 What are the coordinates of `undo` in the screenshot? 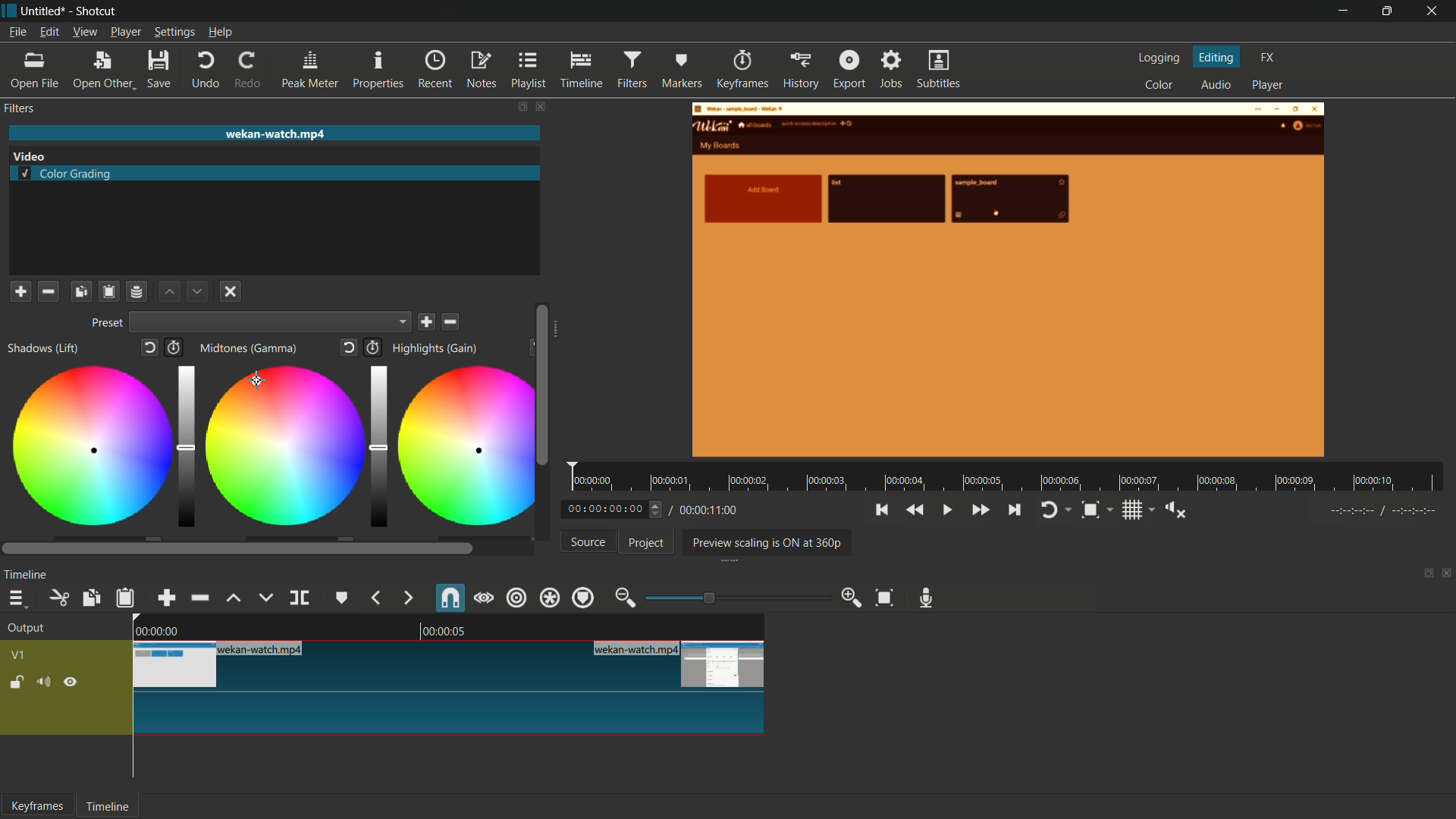 It's located at (206, 70).